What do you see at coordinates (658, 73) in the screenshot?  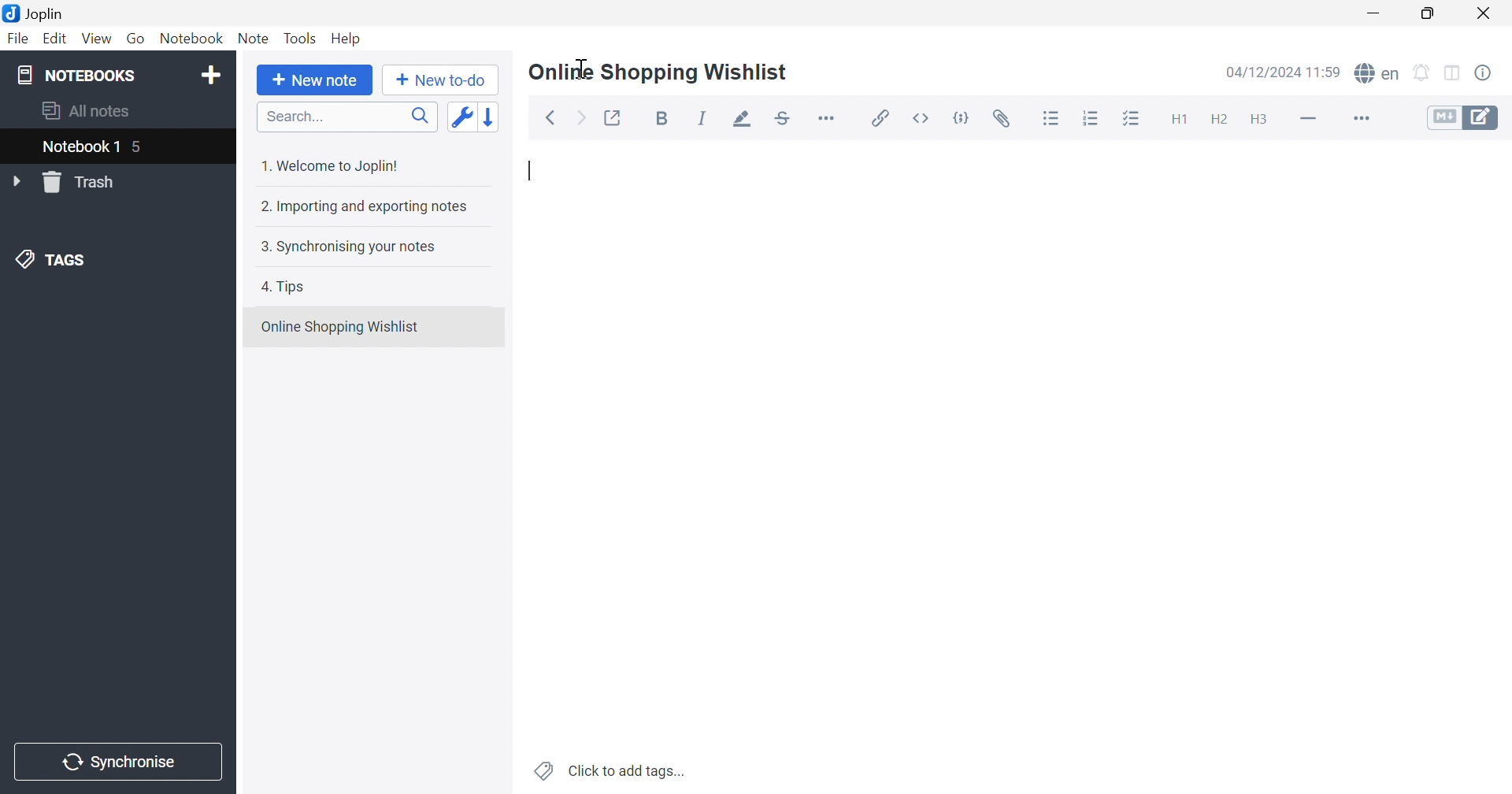 I see `Online Shopping Wishlist` at bounding box center [658, 73].